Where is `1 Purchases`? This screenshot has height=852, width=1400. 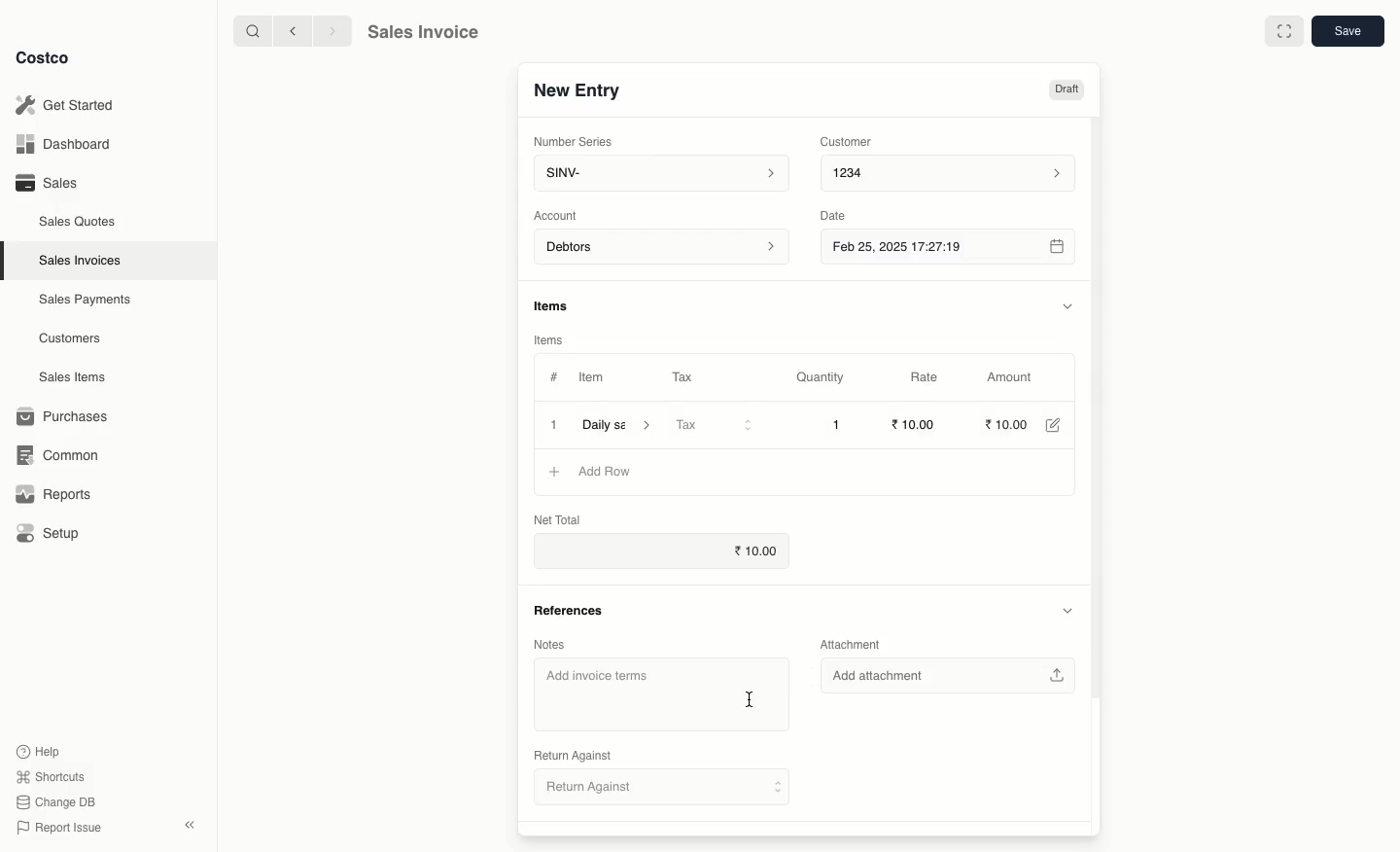
1 Purchases is located at coordinates (67, 417).